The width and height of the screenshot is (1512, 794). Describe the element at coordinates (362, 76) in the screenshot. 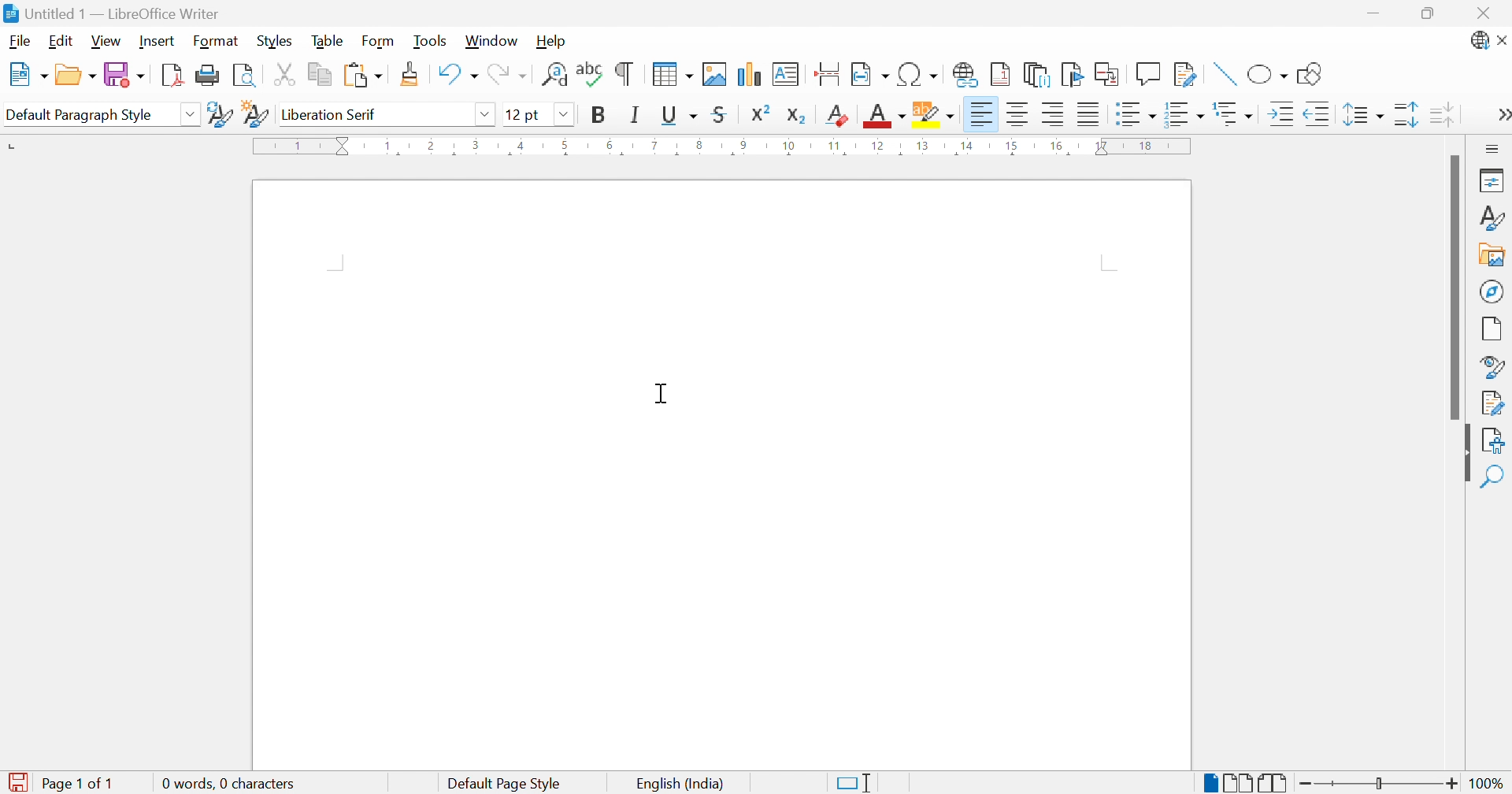

I see `Paste` at that location.